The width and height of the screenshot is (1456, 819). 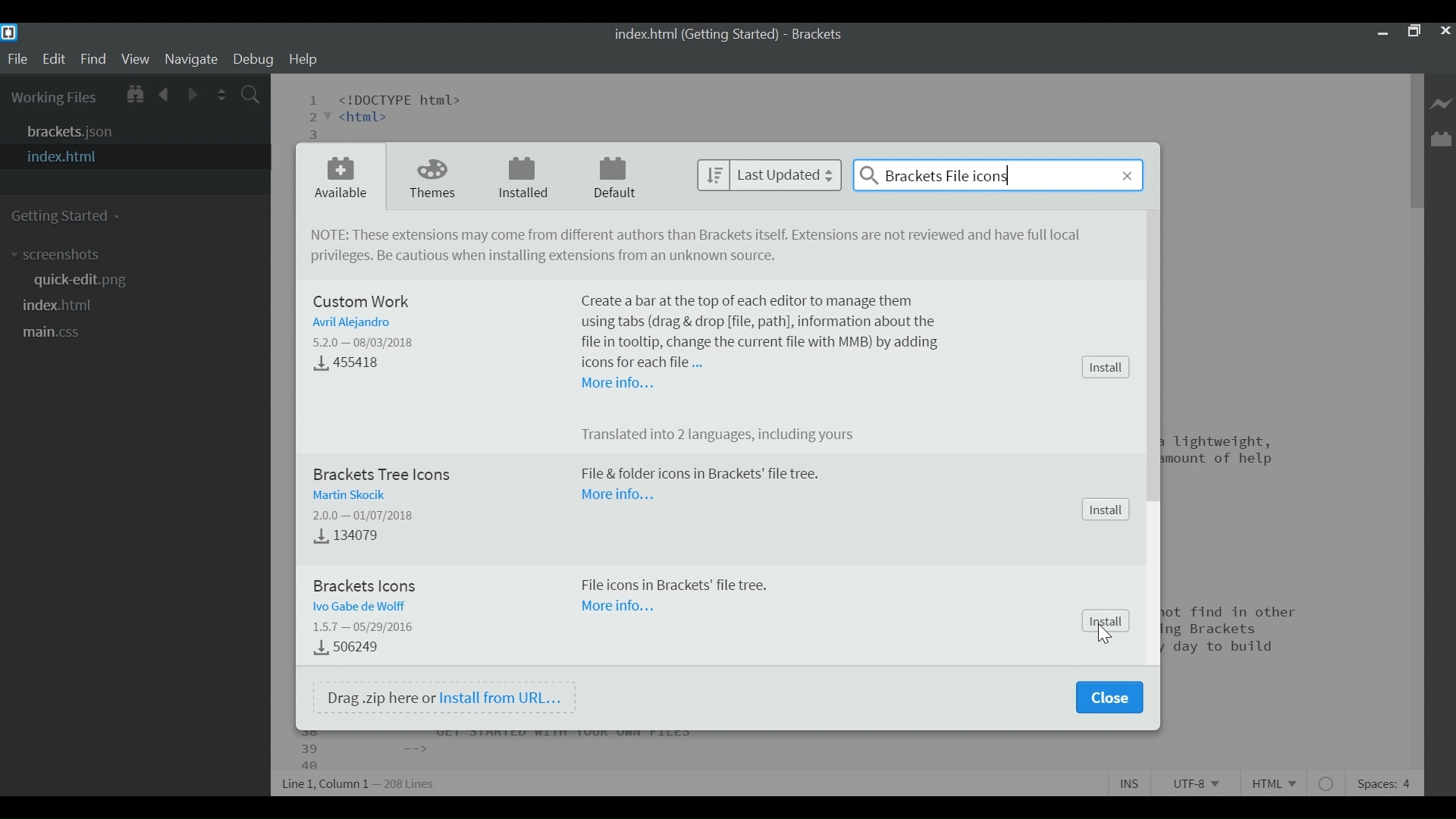 I want to click on Downloads, so click(x=347, y=648).